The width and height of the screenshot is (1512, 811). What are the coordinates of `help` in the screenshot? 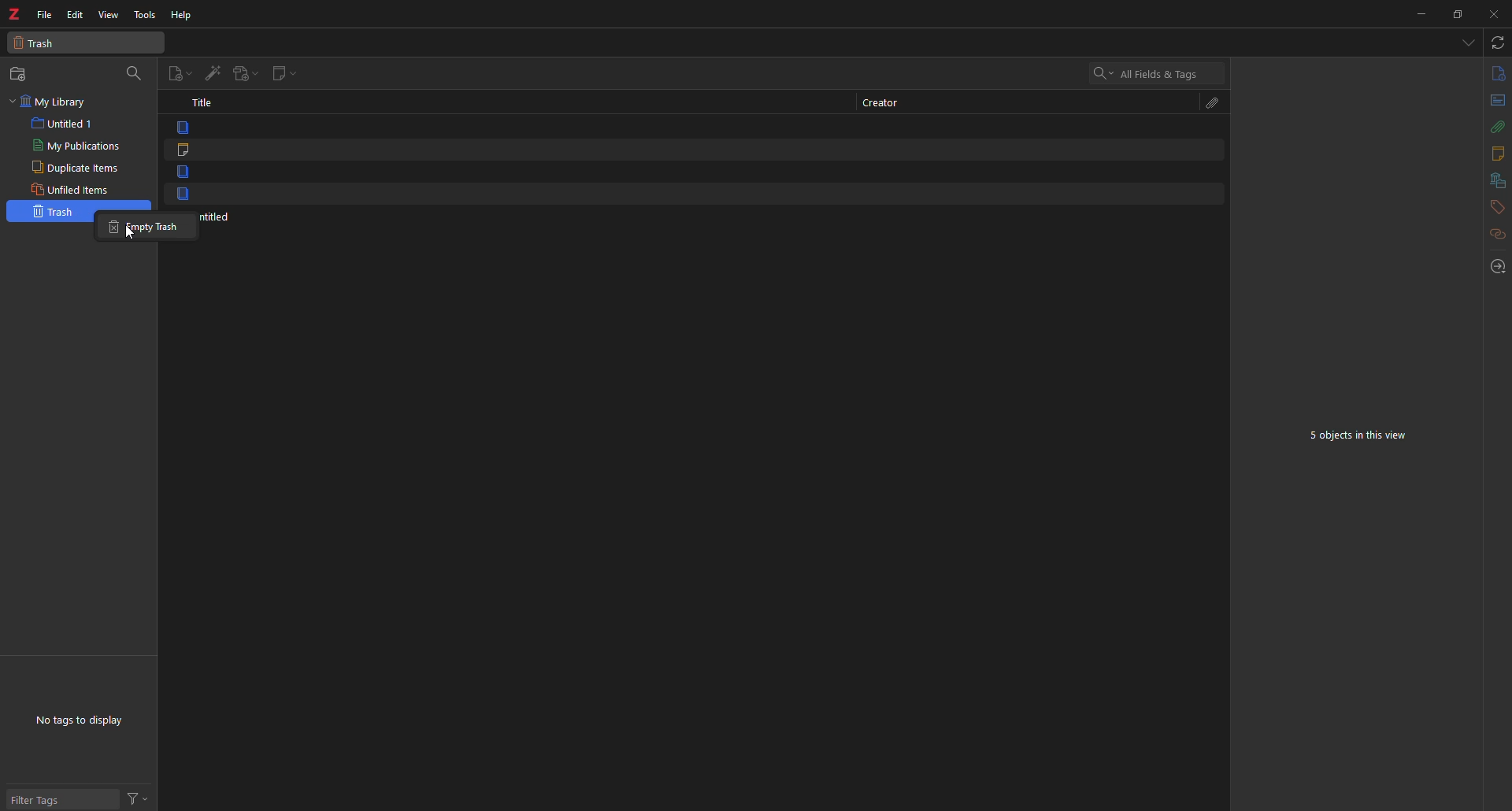 It's located at (182, 16).